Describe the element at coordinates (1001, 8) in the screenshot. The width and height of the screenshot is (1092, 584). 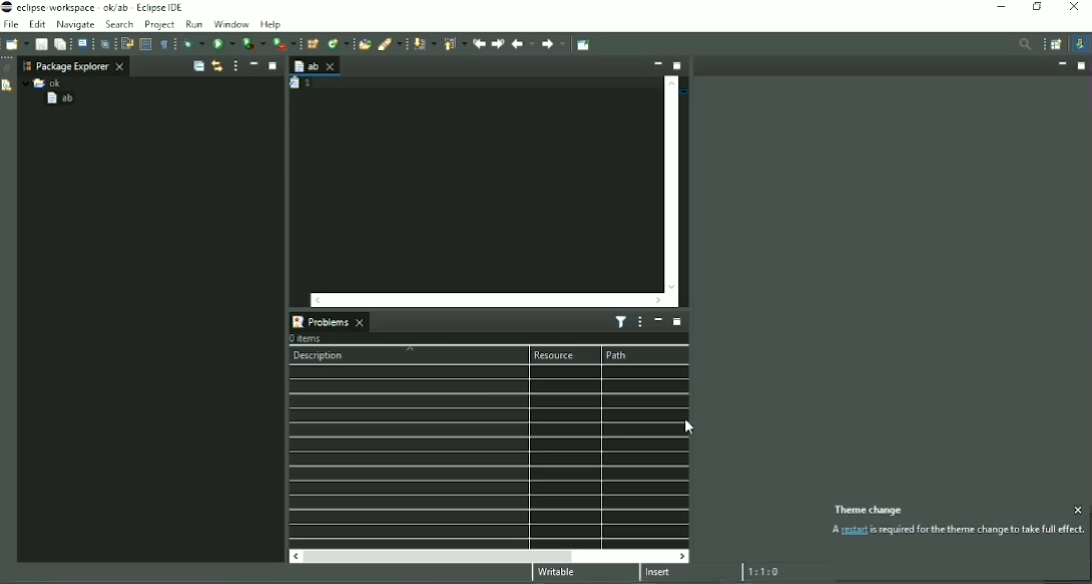
I see `Minimize` at that location.